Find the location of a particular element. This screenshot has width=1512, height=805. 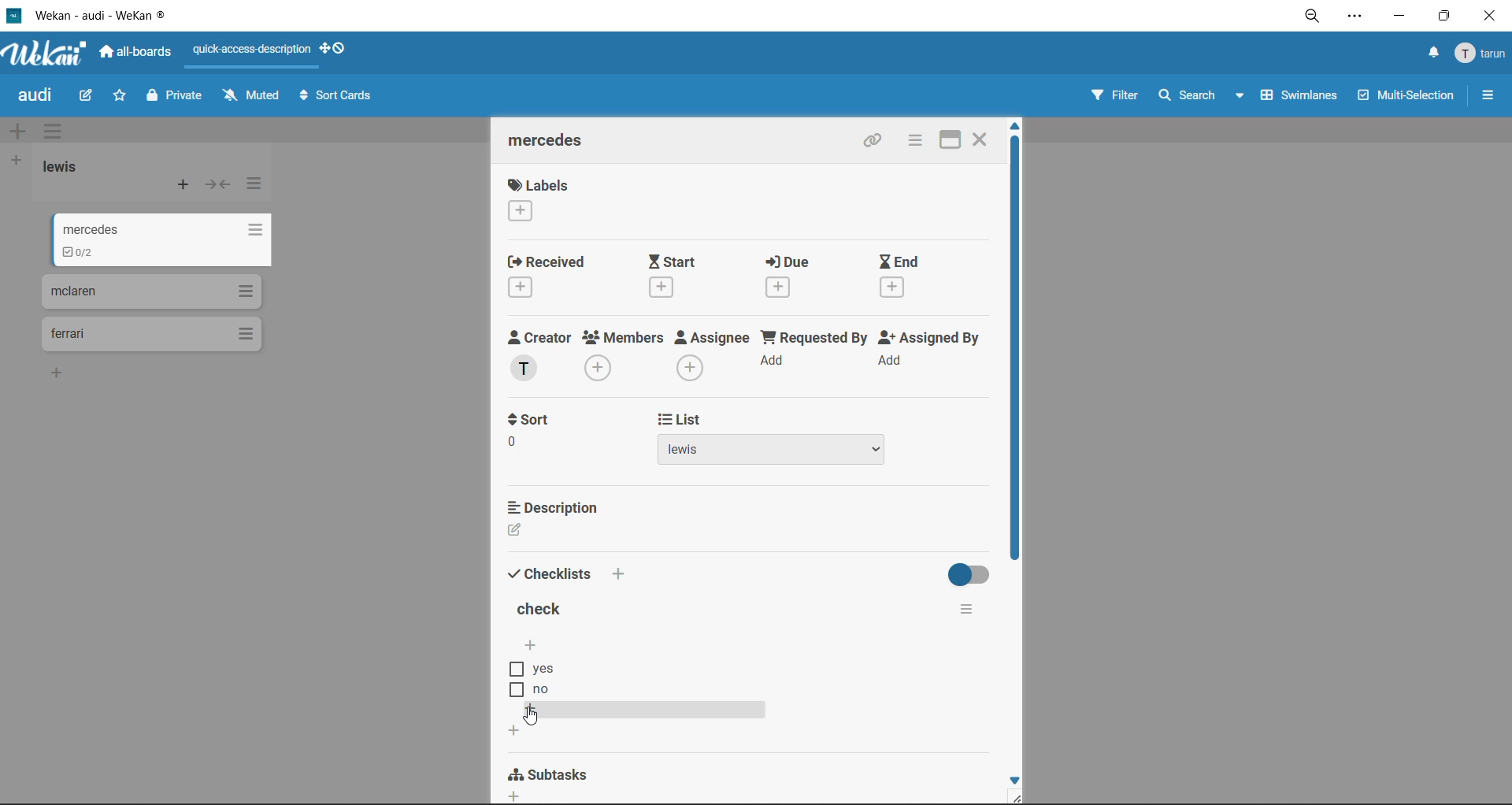

close is located at coordinates (985, 139).